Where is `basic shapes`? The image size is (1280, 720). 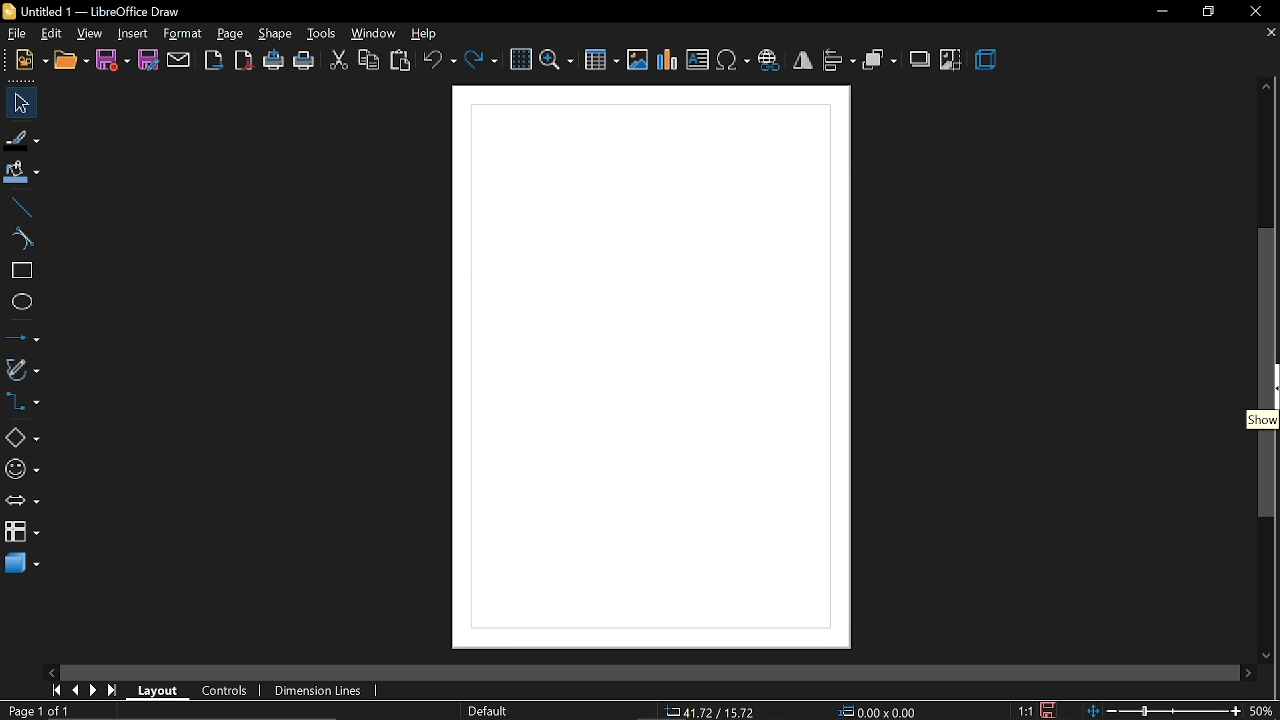
basic shapes is located at coordinates (22, 438).